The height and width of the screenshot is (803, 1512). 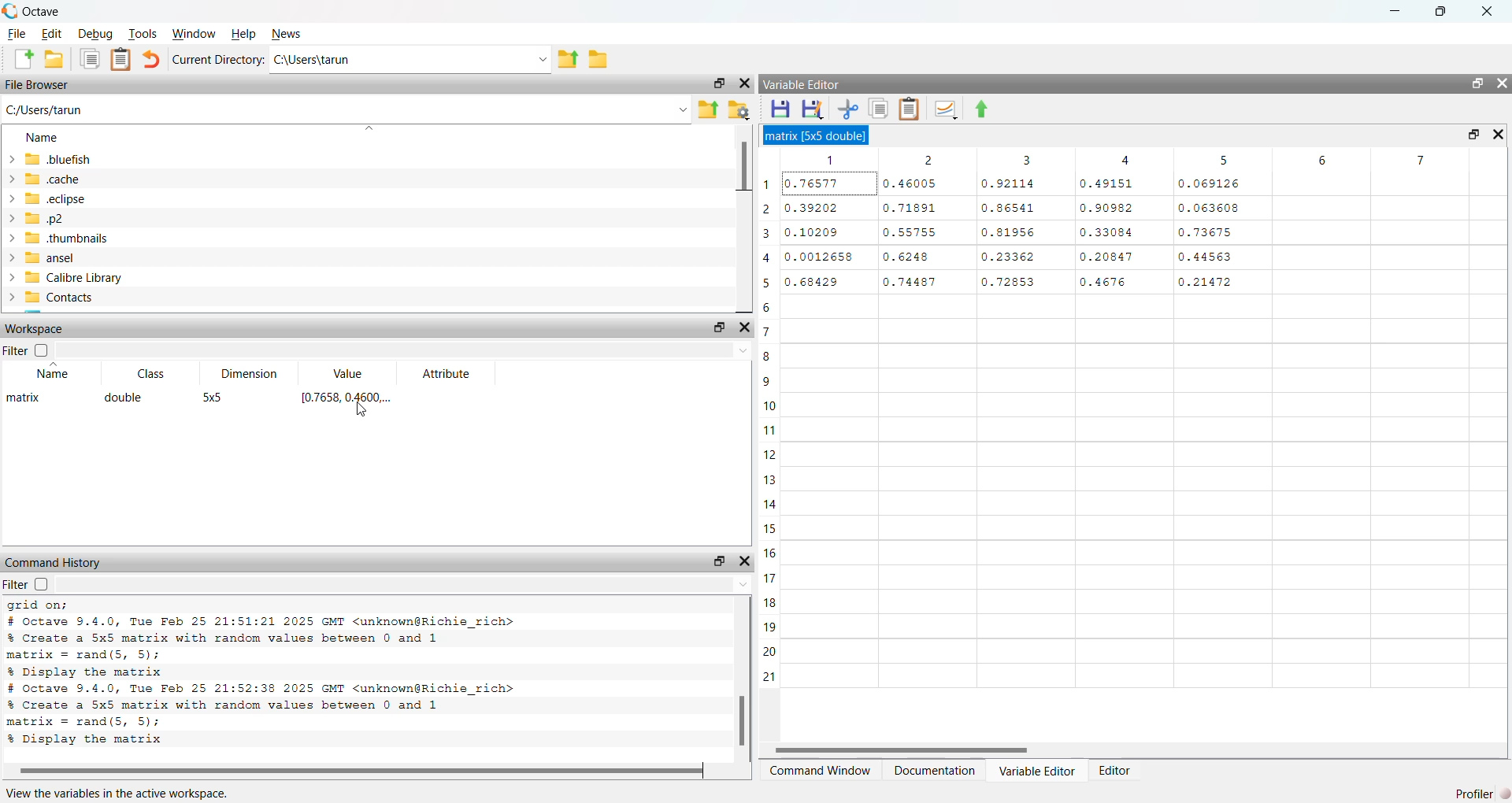 I want to click on Tools, so click(x=144, y=32).